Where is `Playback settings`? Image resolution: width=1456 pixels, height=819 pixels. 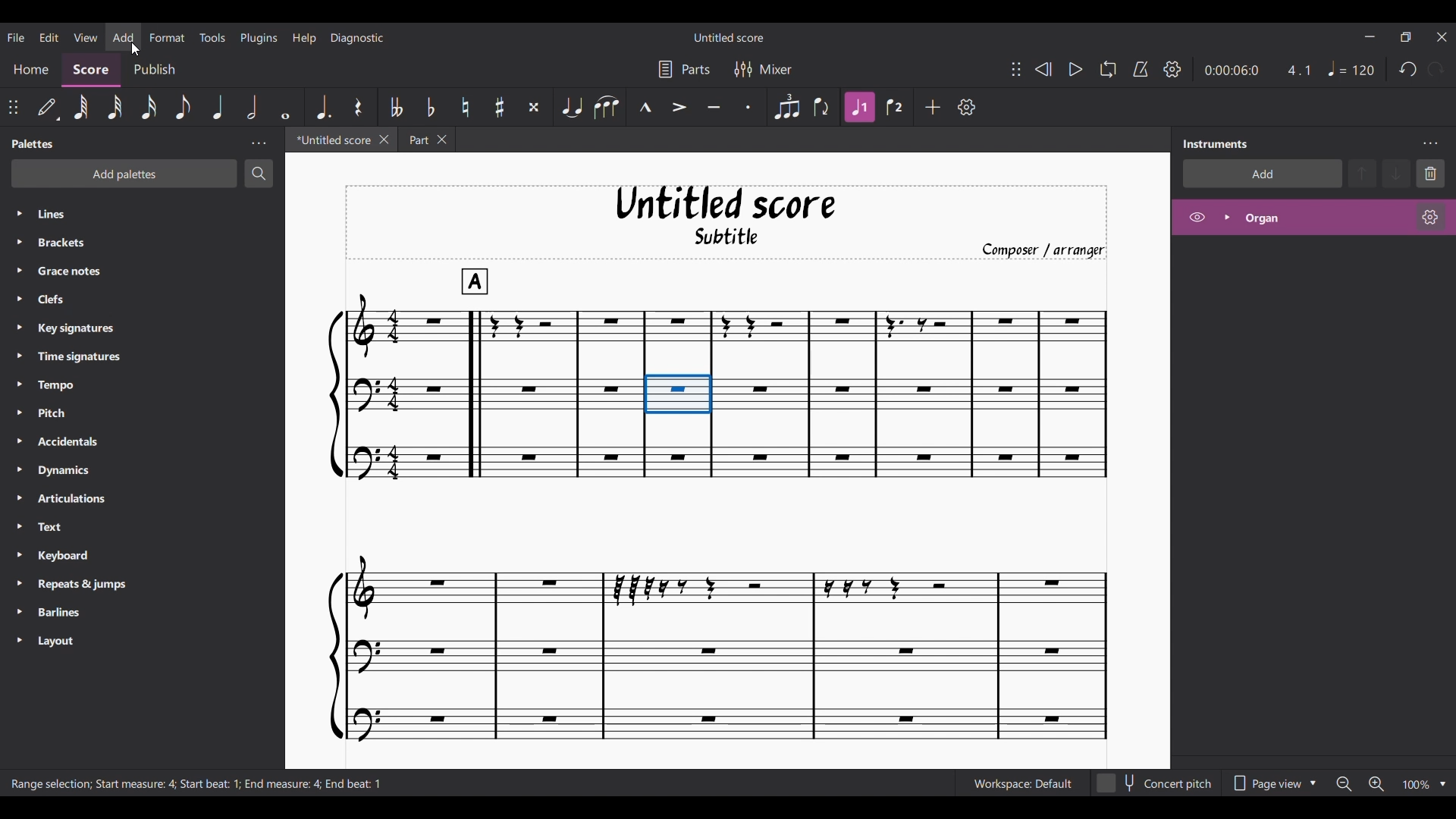
Playback settings is located at coordinates (1172, 69).